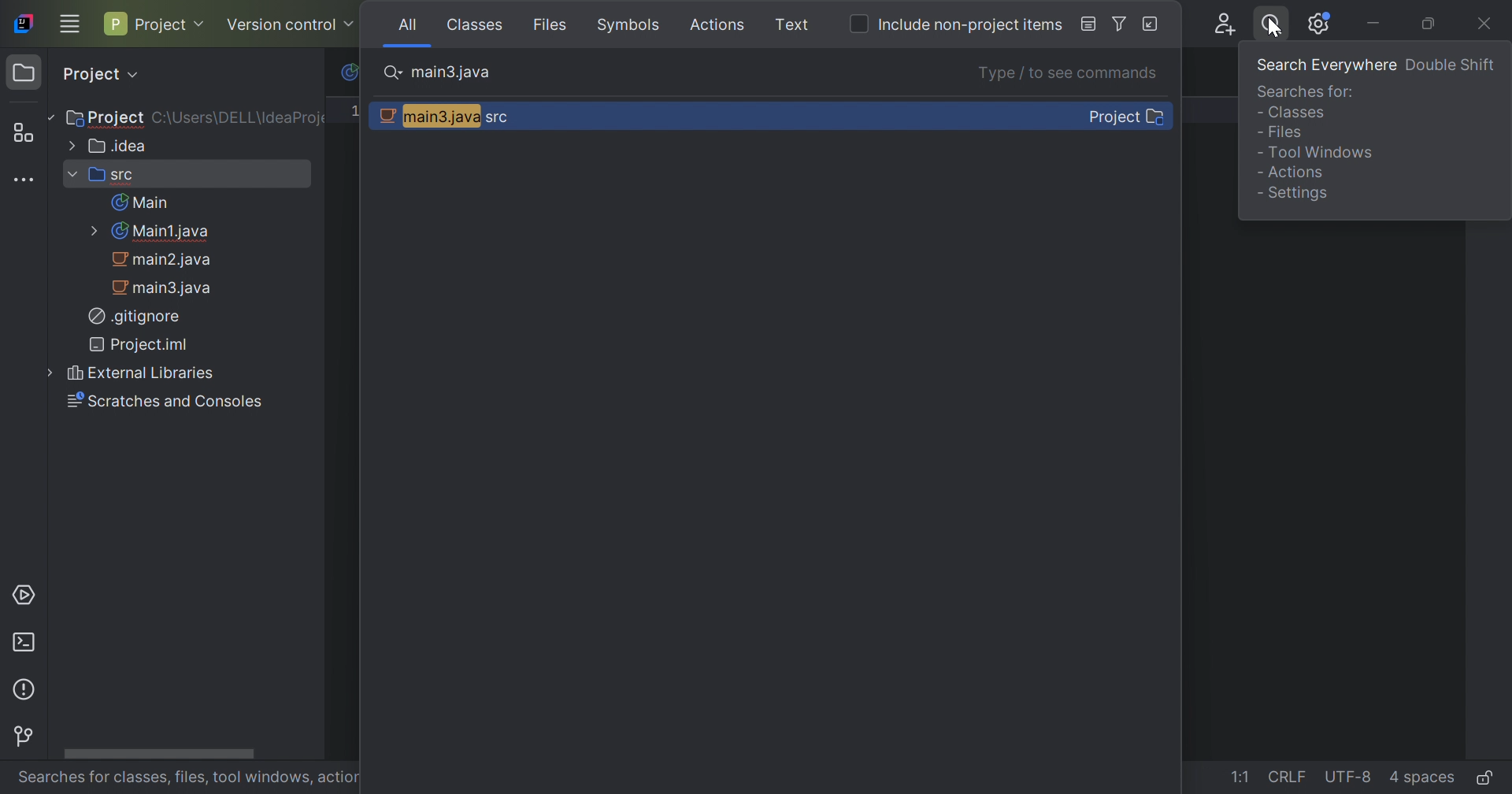 This screenshot has height=794, width=1512. I want to click on Text, so click(794, 25).